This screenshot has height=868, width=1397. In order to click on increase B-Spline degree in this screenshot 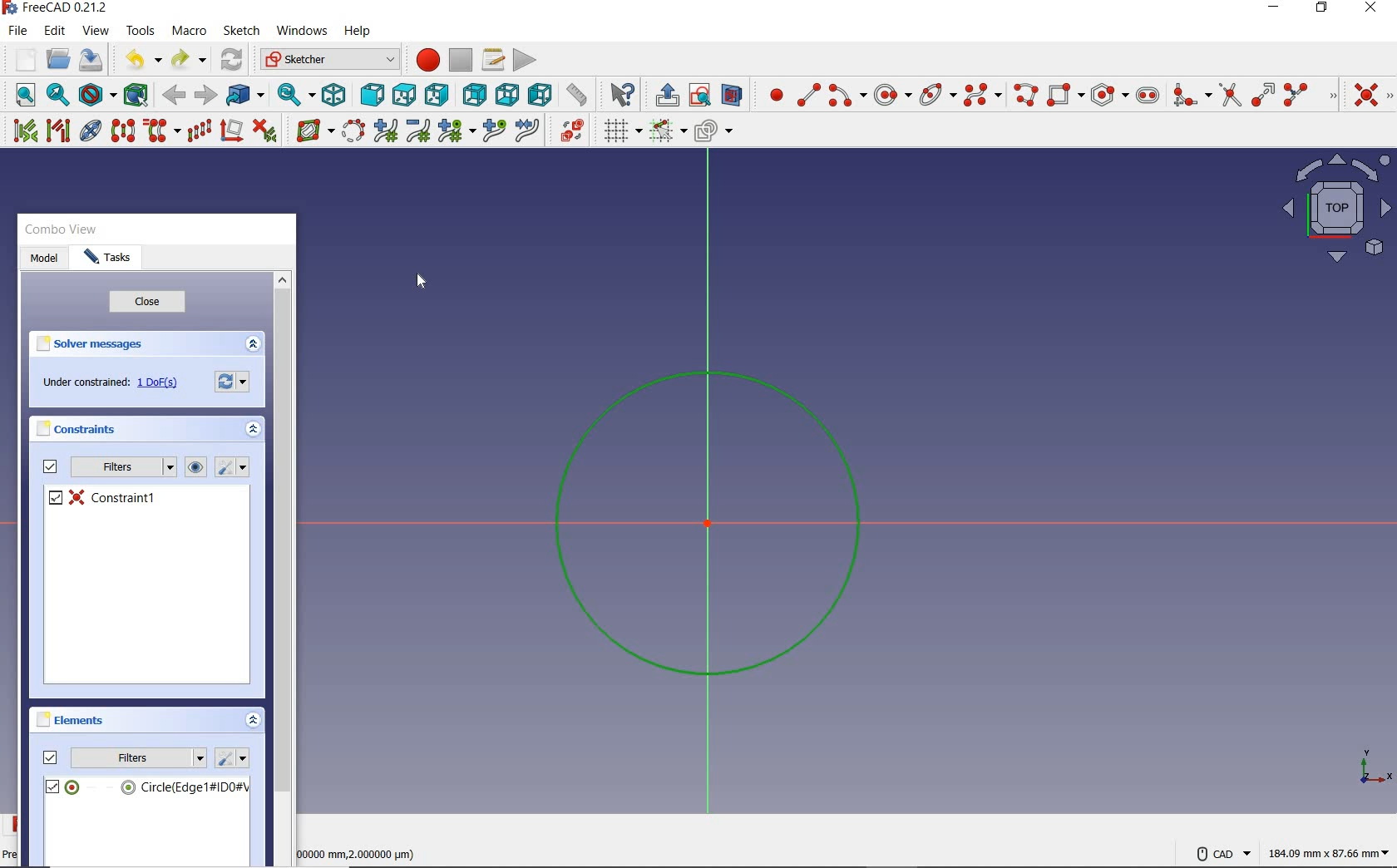, I will do `click(383, 131)`.